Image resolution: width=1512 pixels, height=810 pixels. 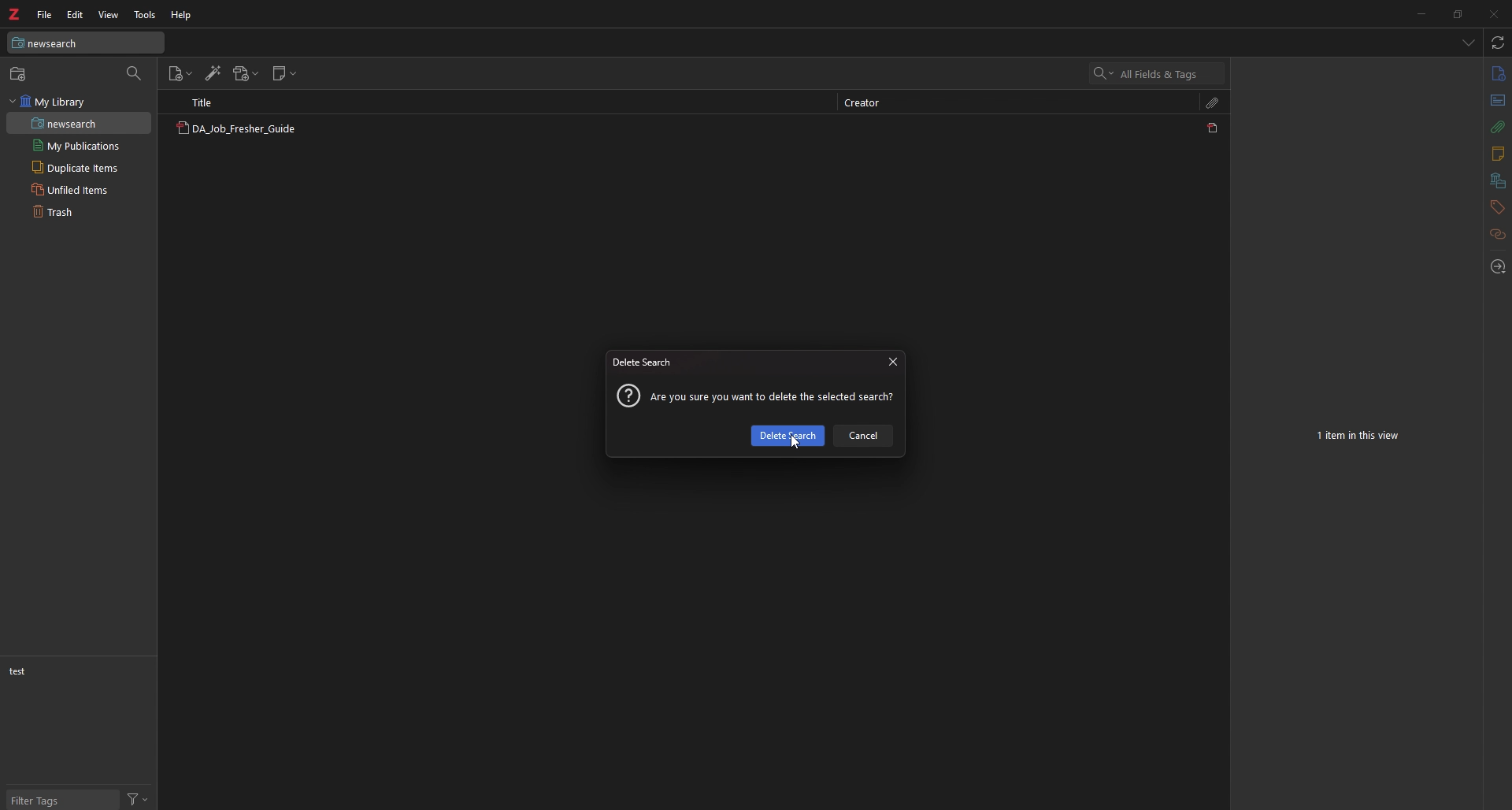 I want to click on 7 items in this view, so click(x=1358, y=434).